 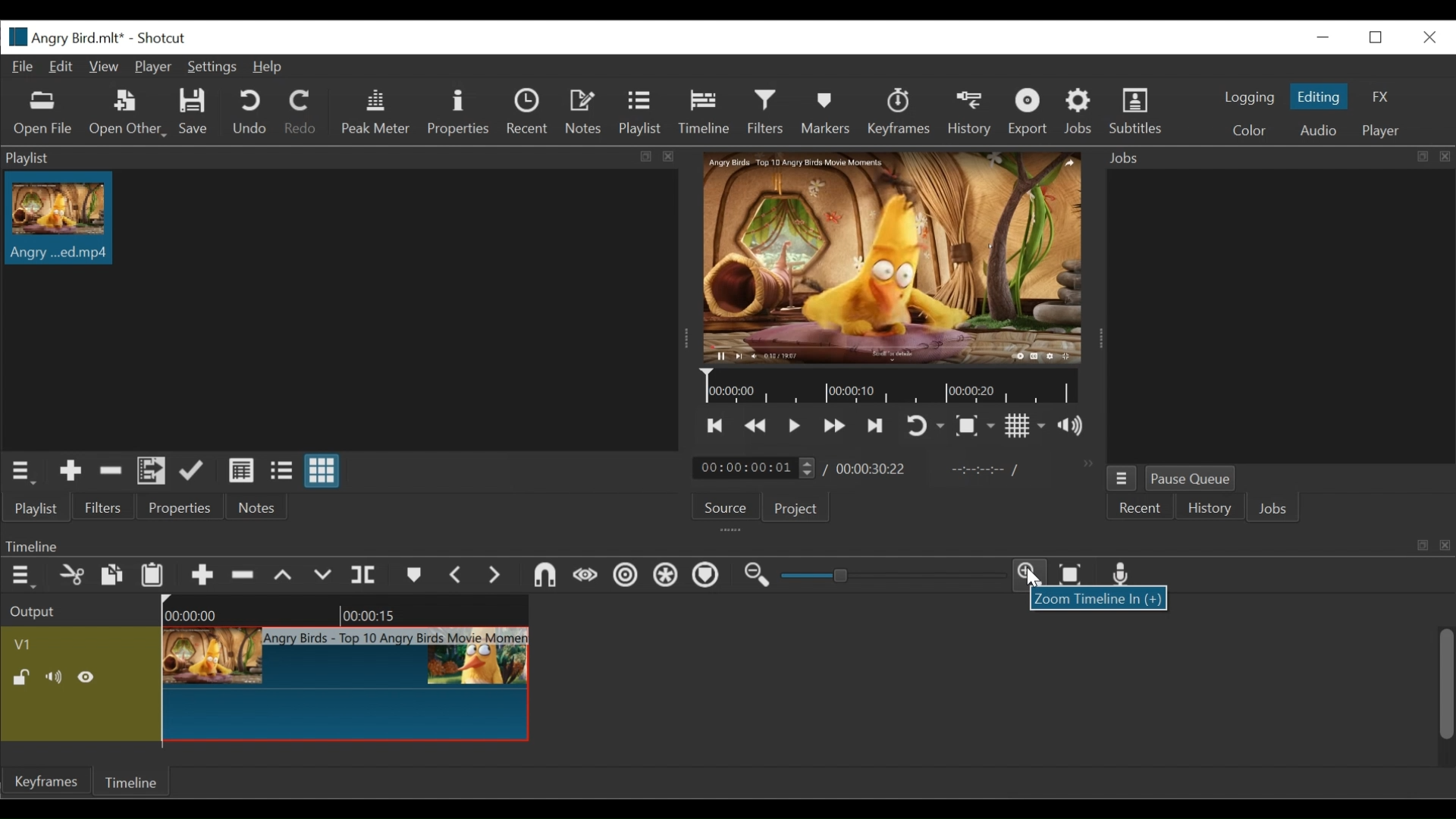 What do you see at coordinates (897, 388) in the screenshot?
I see `Timeline` at bounding box center [897, 388].